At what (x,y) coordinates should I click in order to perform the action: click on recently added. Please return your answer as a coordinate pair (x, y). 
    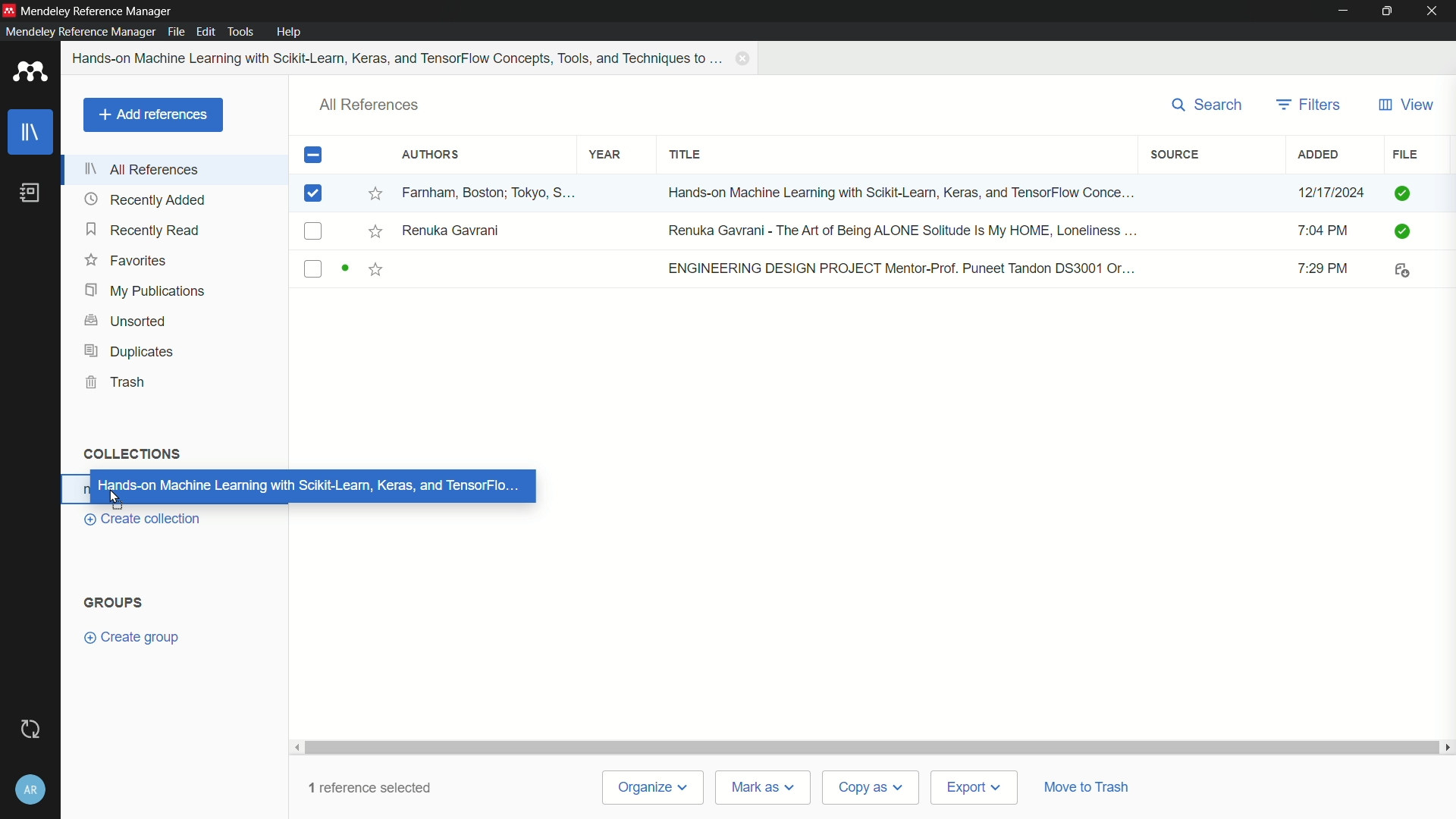
    Looking at the image, I should click on (145, 199).